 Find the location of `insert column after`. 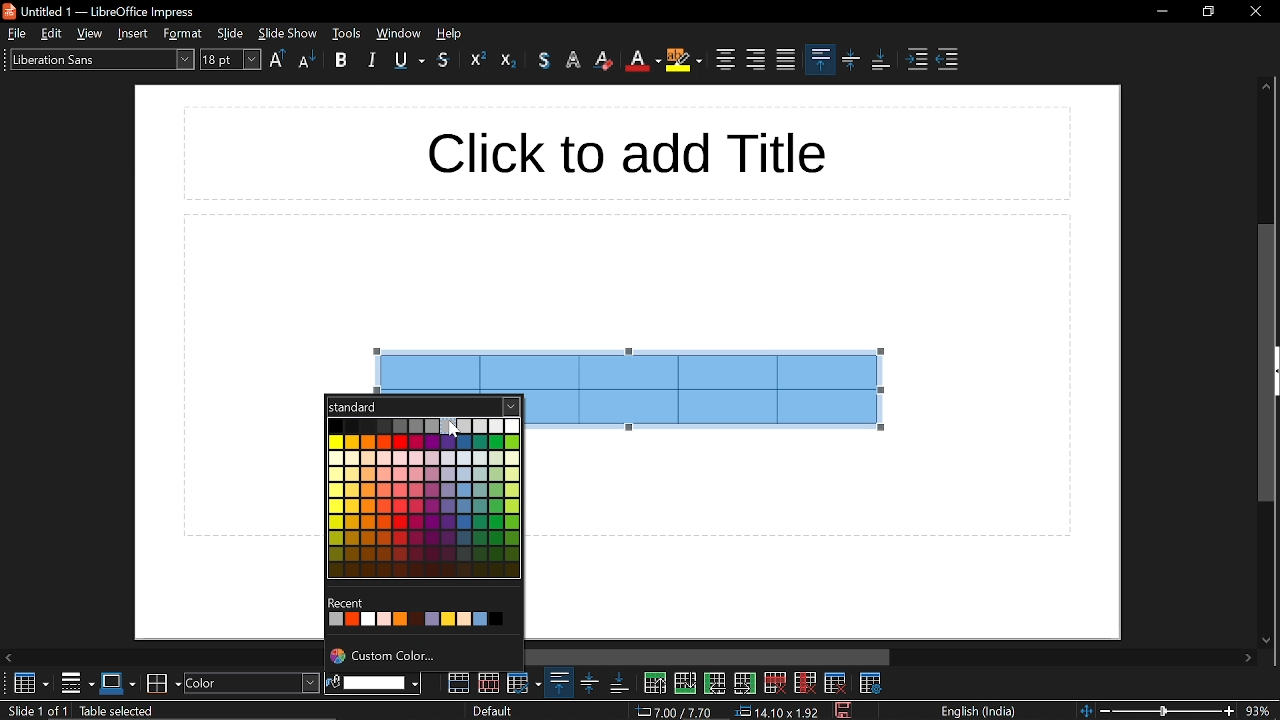

insert column after is located at coordinates (746, 684).